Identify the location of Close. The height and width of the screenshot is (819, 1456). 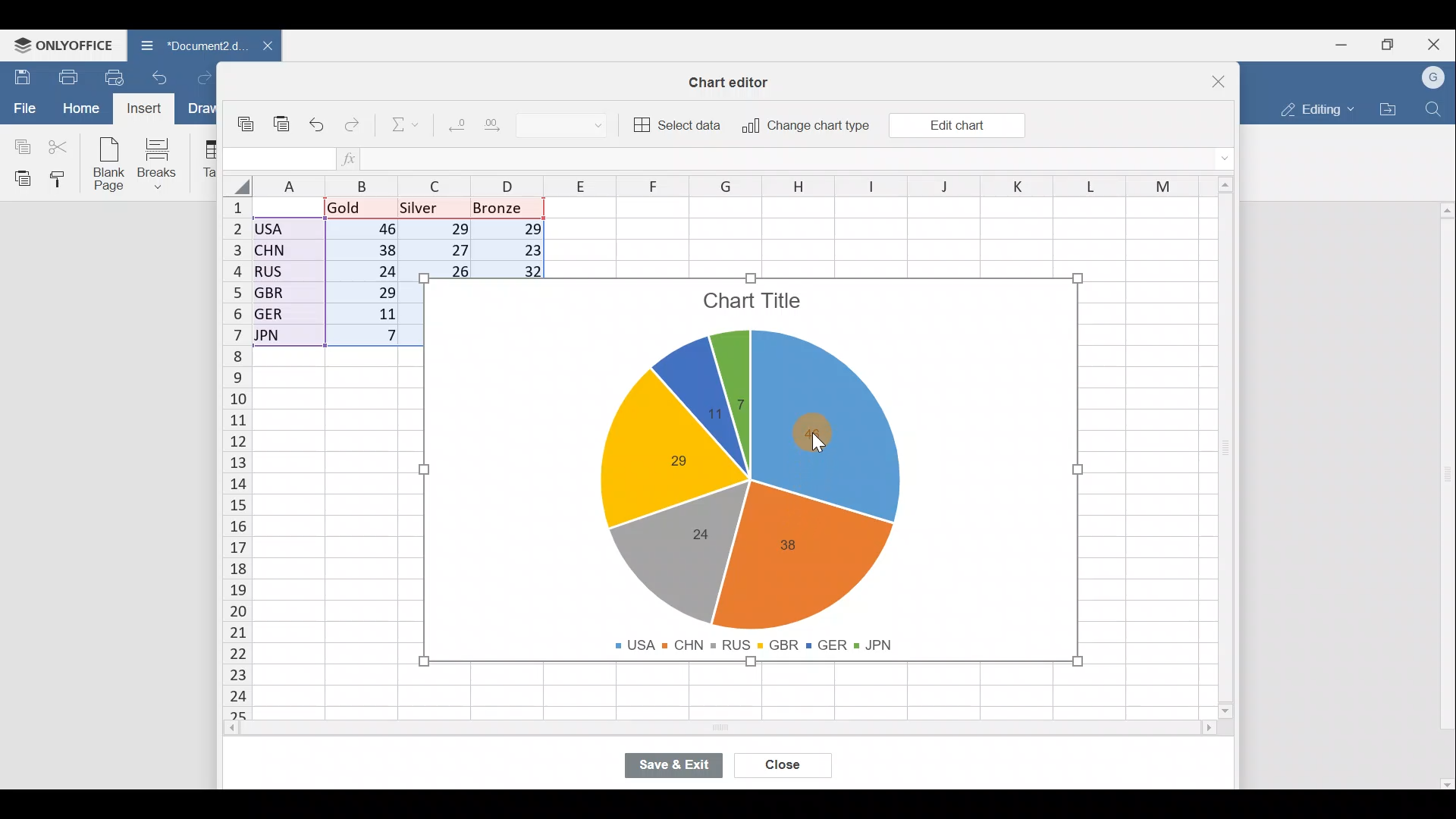
(786, 767).